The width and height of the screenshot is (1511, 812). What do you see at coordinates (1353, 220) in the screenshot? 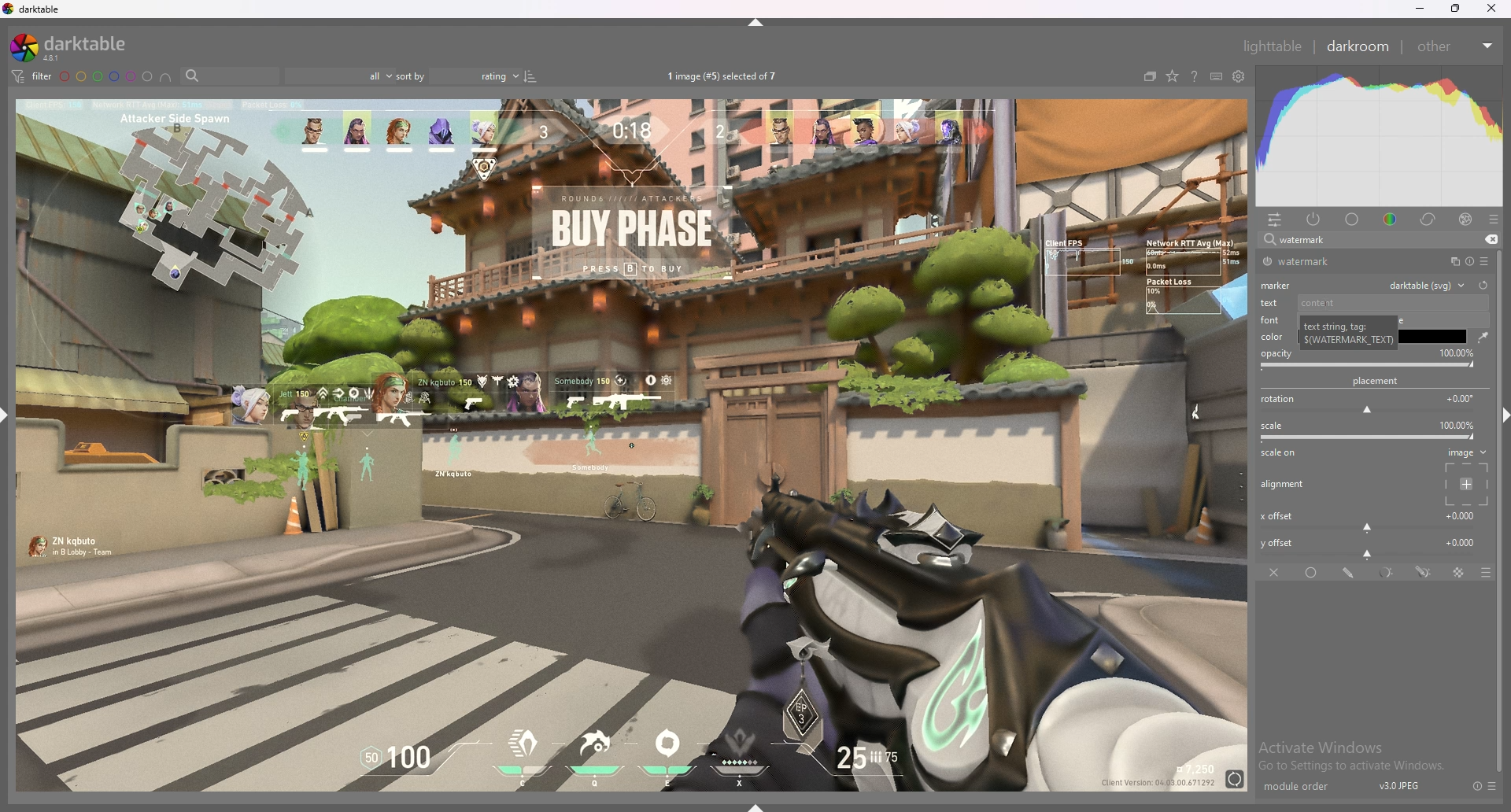
I see `base` at bounding box center [1353, 220].